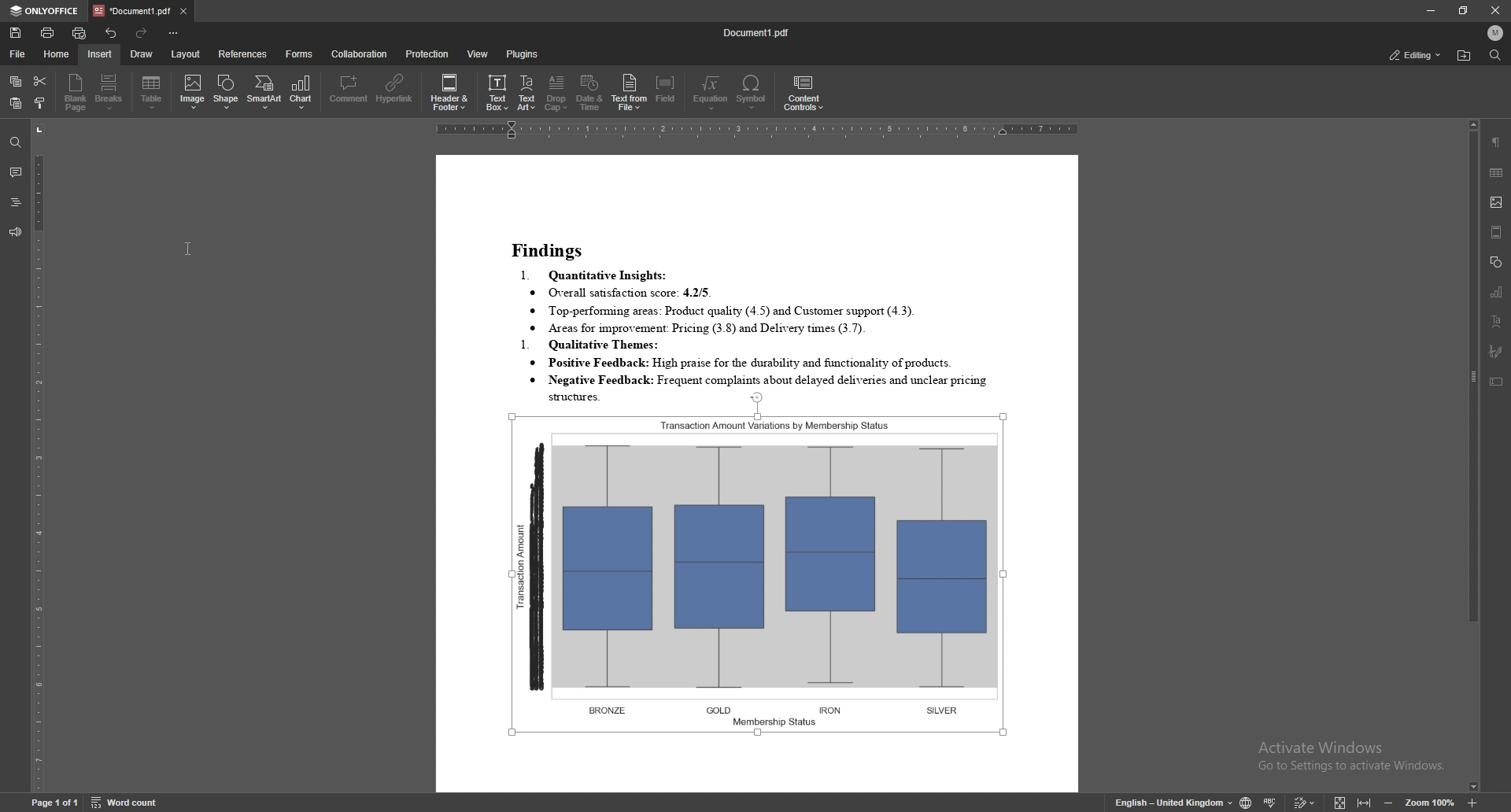 The width and height of the screenshot is (1511, 812). I want to click on resize, so click(1465, 11).